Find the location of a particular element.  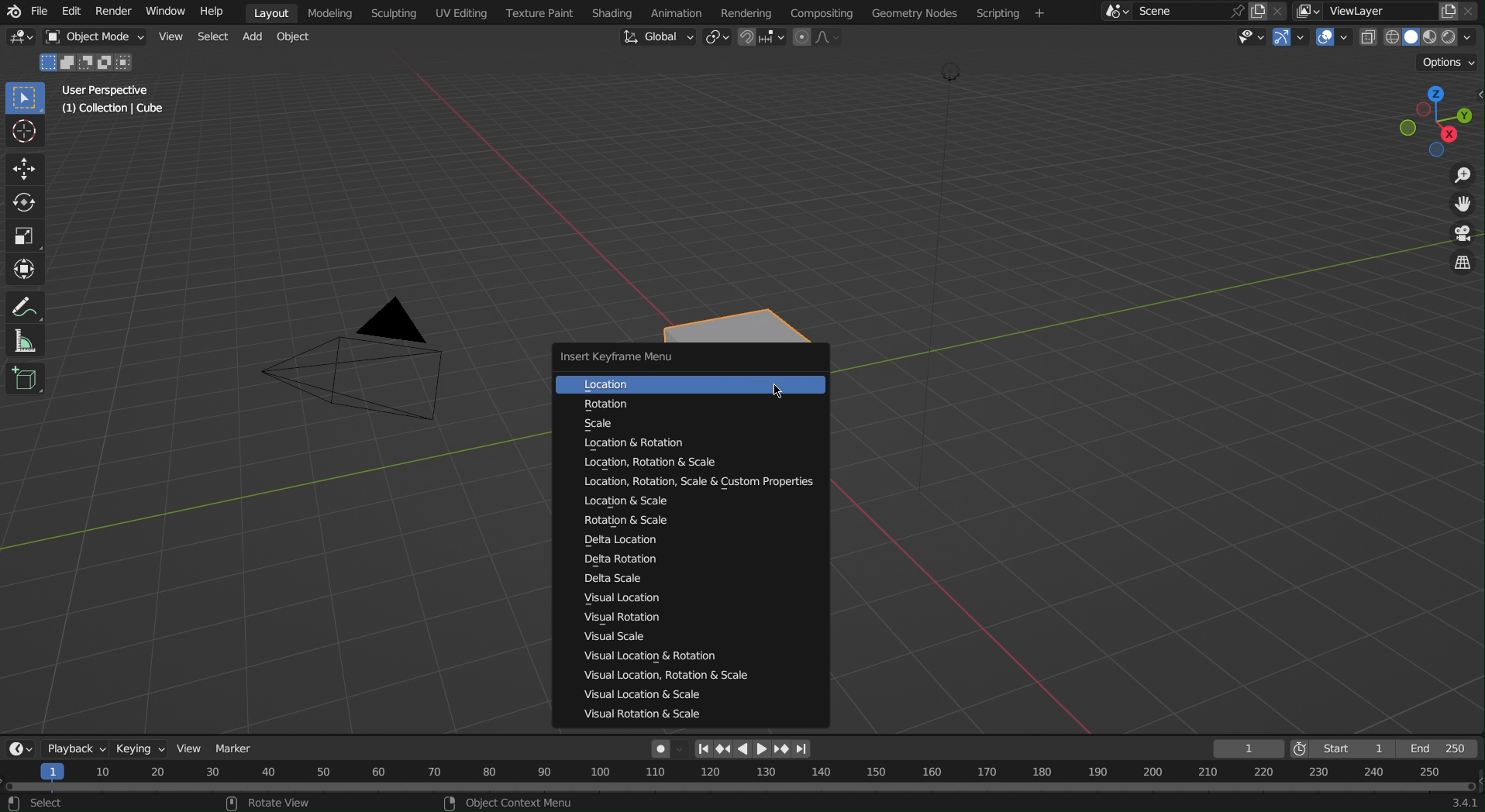

Visual Location & Scale is located at coordinates (646, 697).